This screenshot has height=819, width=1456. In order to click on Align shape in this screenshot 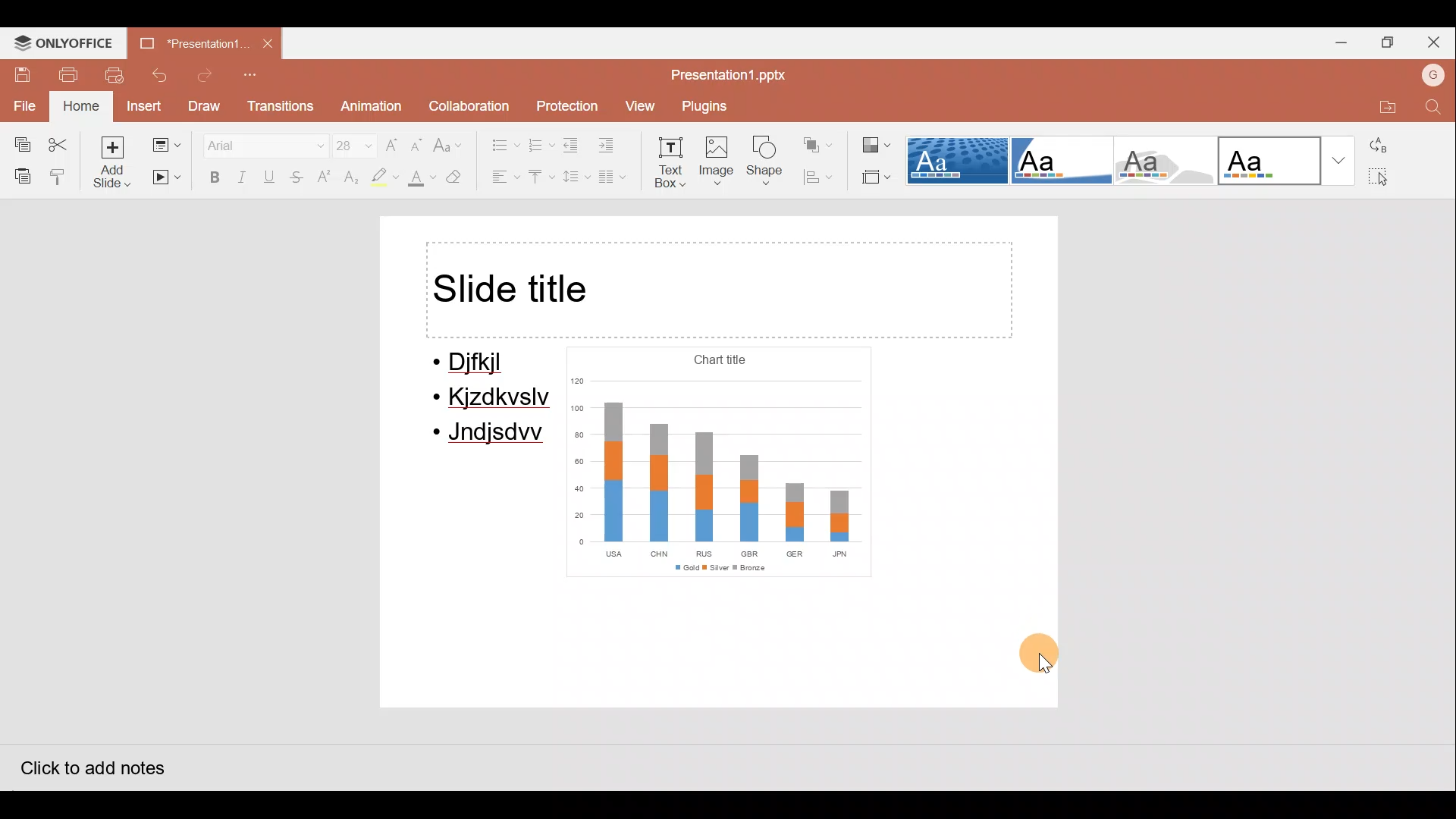, I will do `click(817, 177)`.